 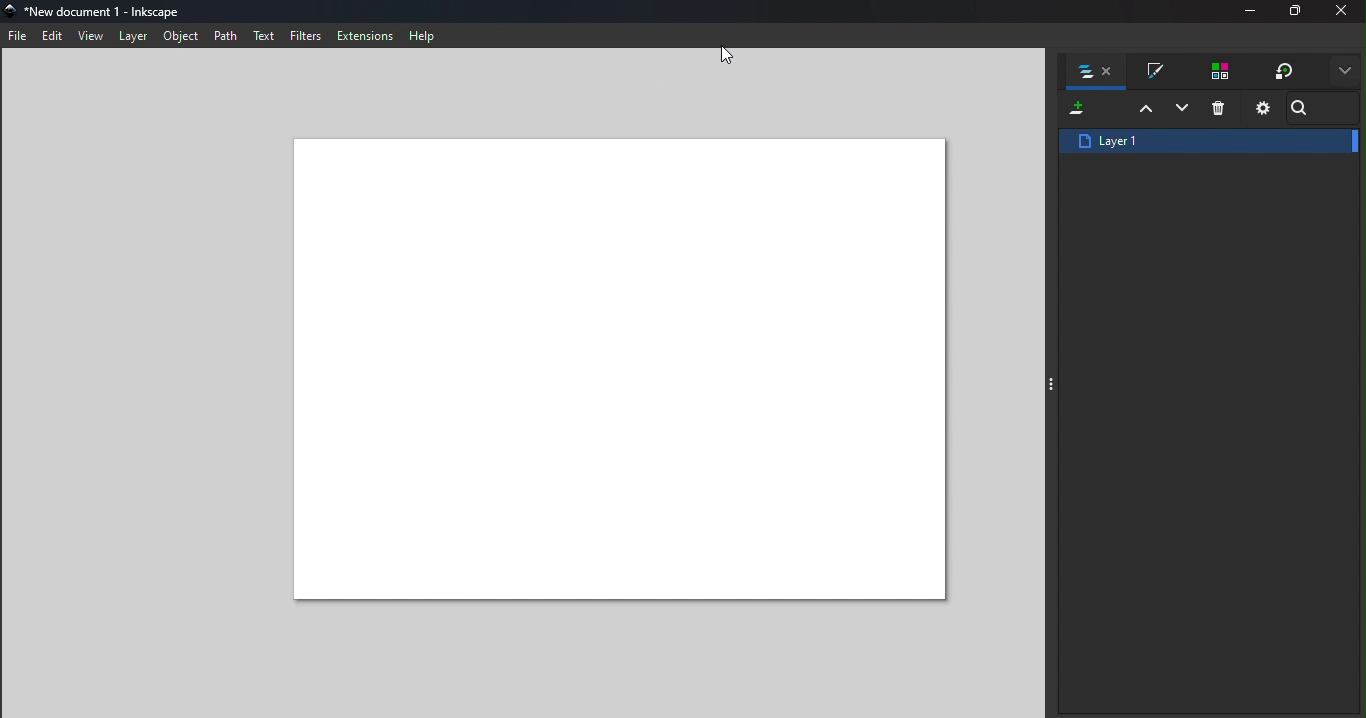 What do you see at coordinates (262, 35) in the screenshot?
I see `Text` at bounding box center [262, 35].